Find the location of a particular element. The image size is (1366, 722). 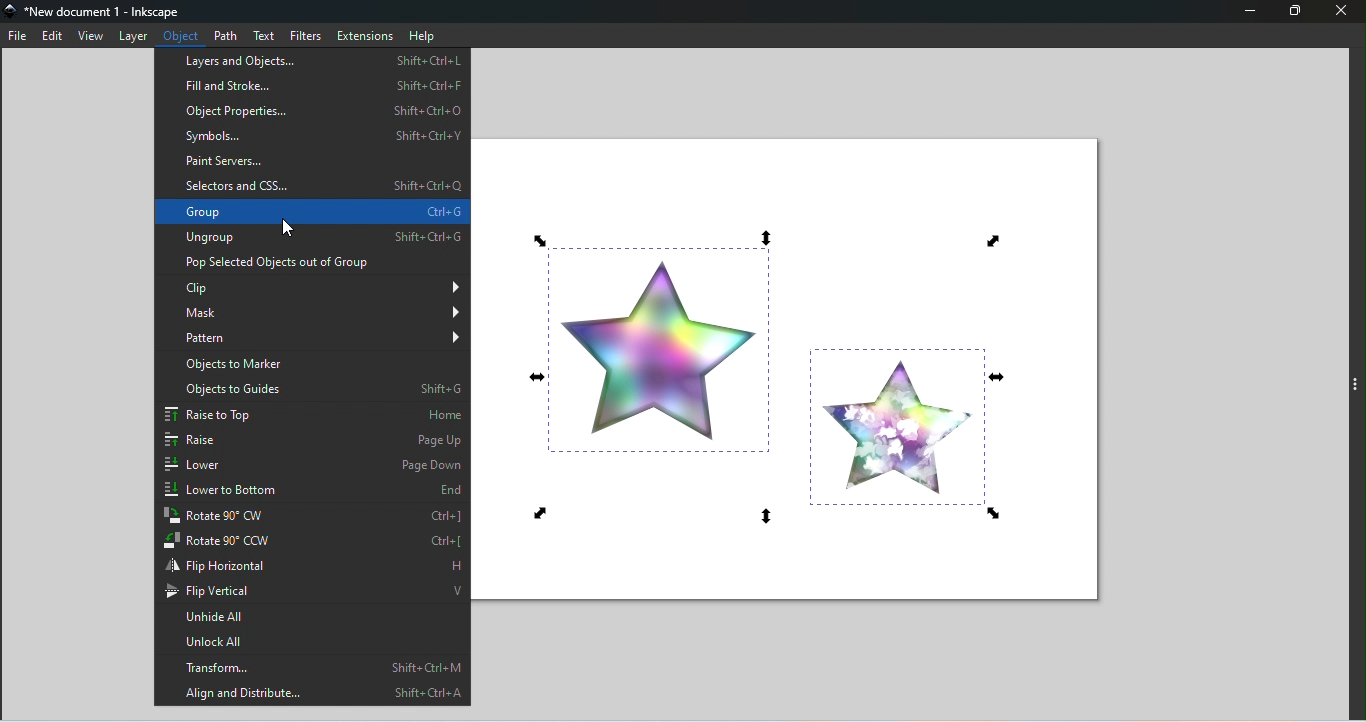

Rotate 90° CCW is located at coordinates (313, 540).